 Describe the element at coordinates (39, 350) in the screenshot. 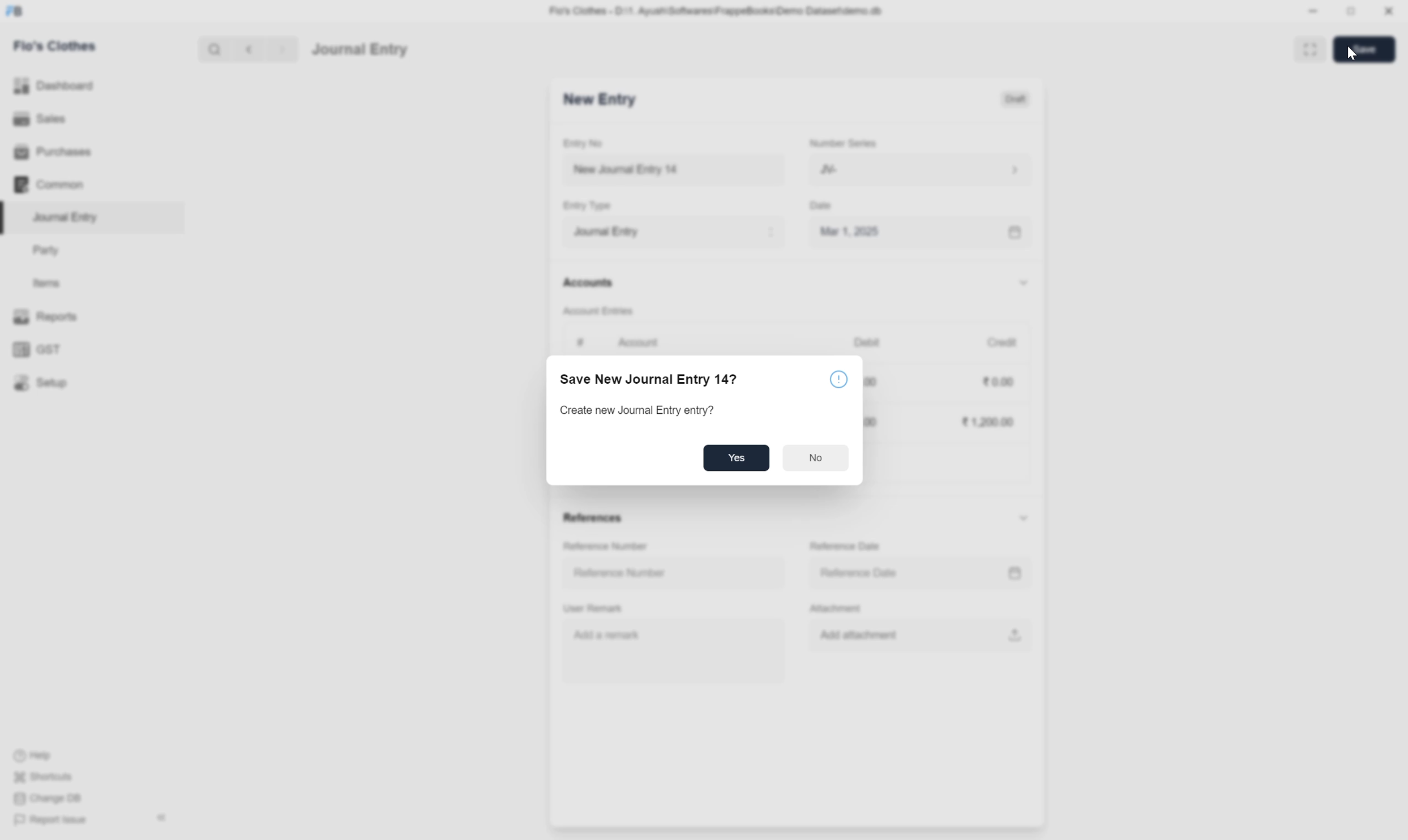

I see `GST` at that location.